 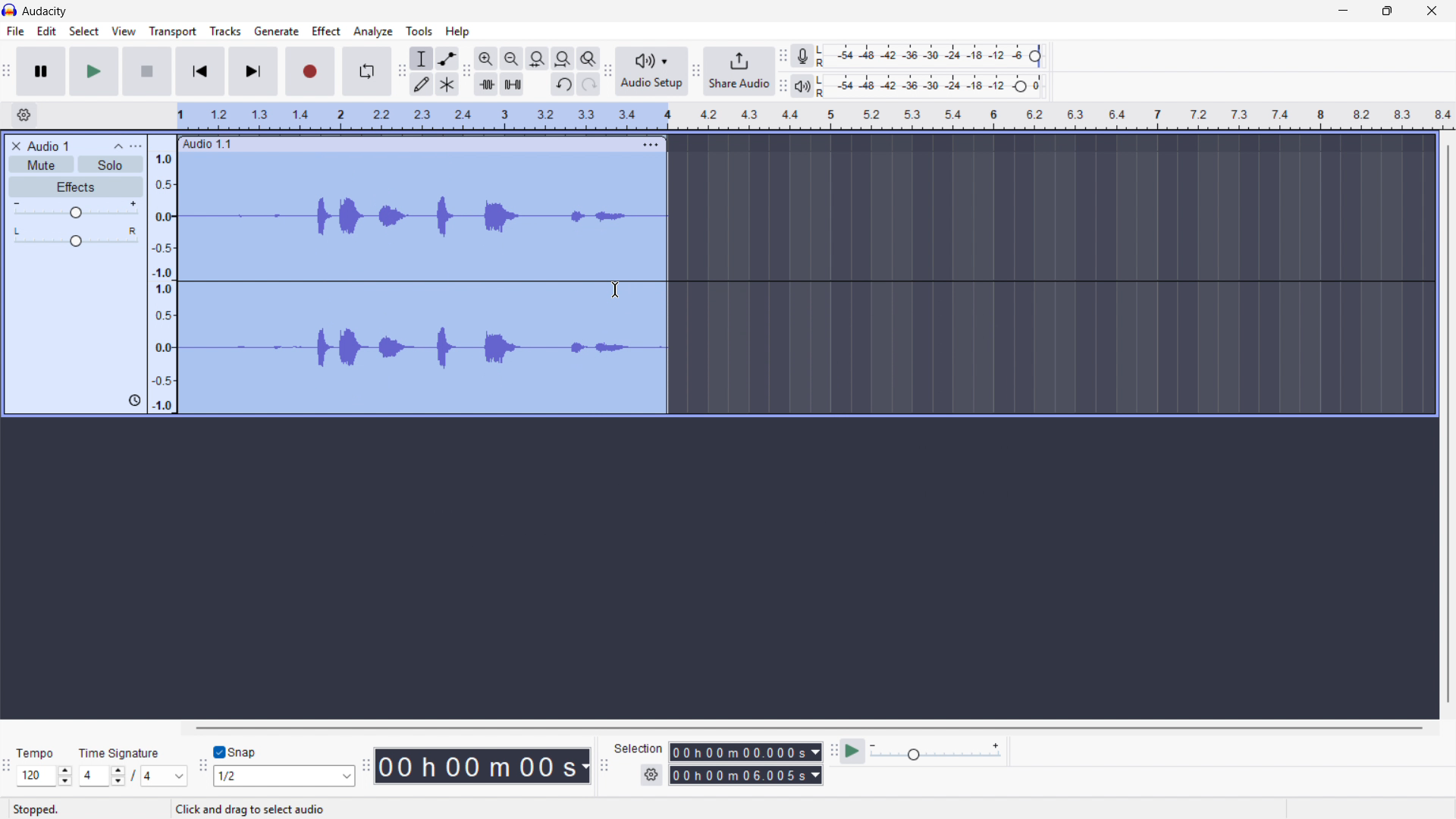 What do you see at coordinates (276, 31) in the screenshot?
I see `Generate` at bounding box center [276, 31].